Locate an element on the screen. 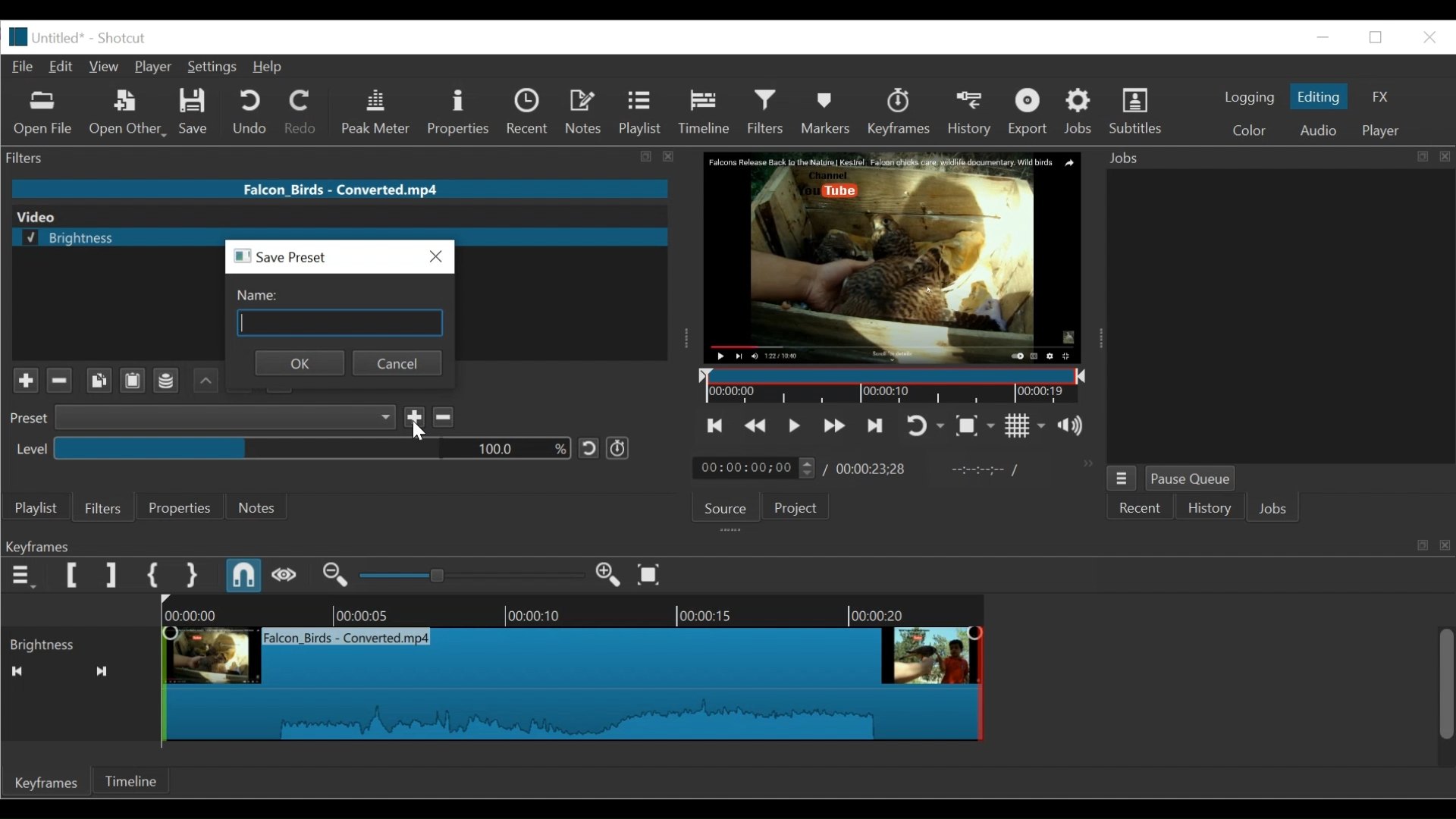  Jobs is located at coordinates (1275, 510).